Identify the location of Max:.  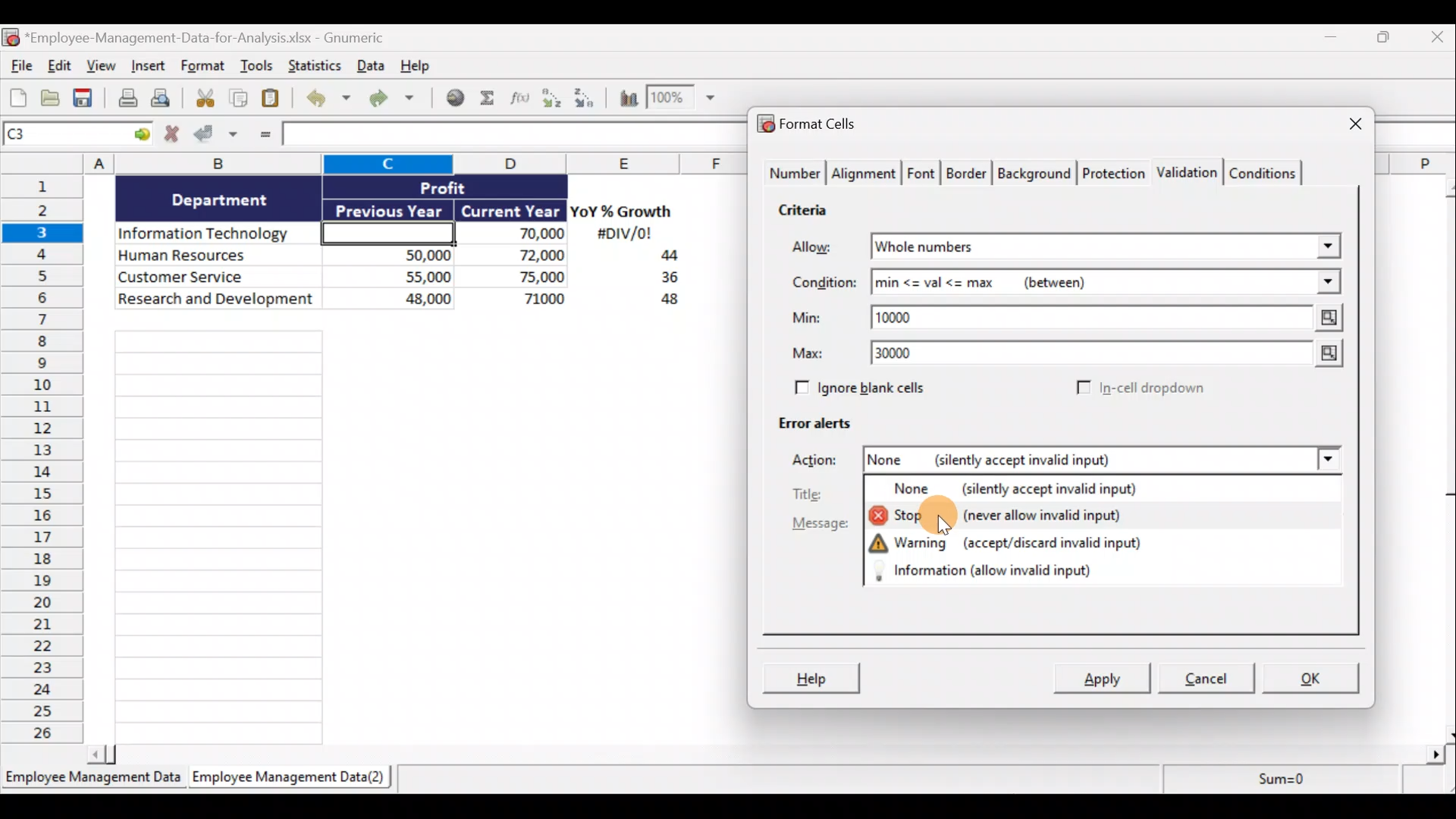
(808, 356).